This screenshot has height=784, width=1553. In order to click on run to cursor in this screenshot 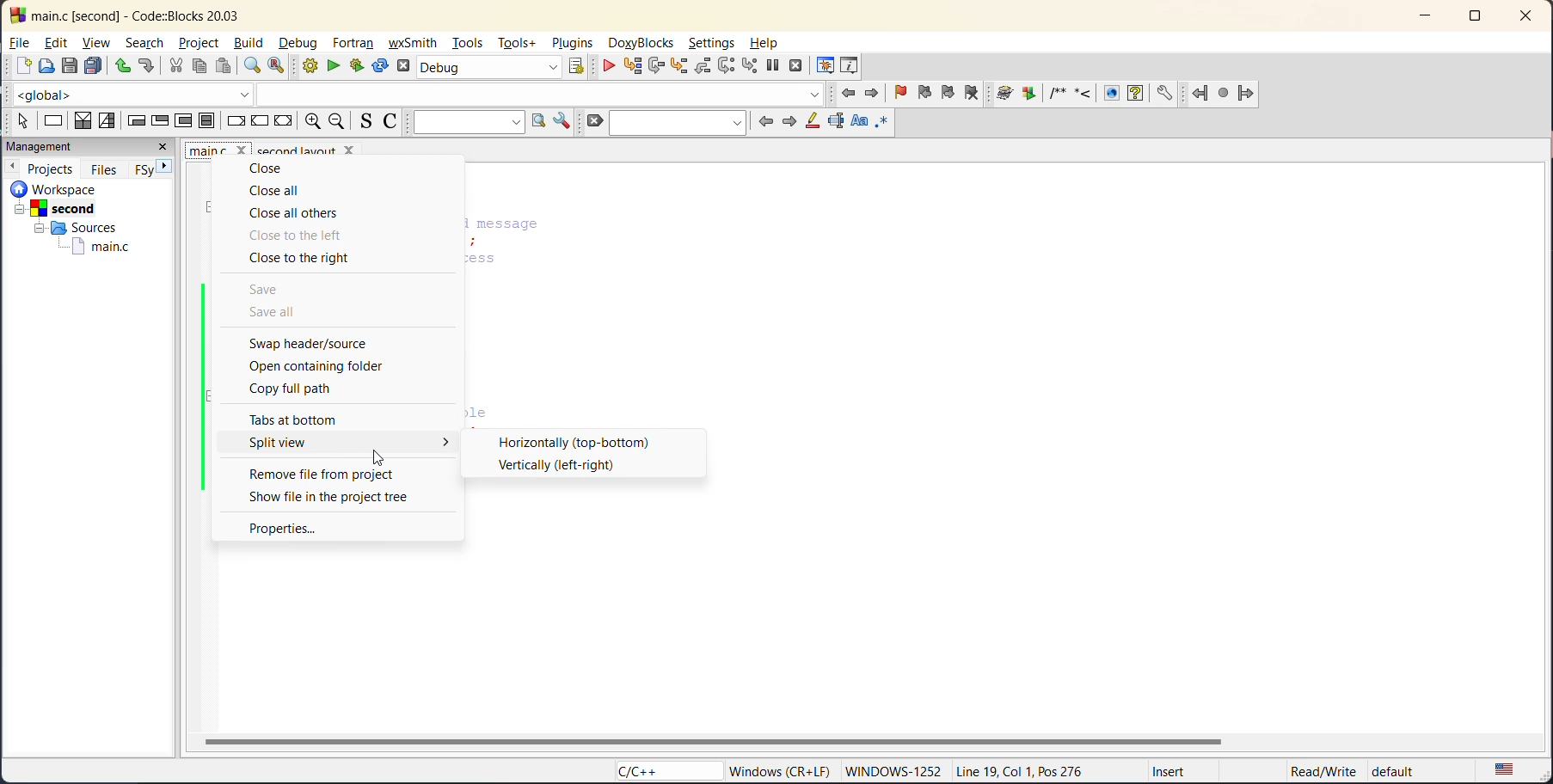, I will do `click(632, 66)`.